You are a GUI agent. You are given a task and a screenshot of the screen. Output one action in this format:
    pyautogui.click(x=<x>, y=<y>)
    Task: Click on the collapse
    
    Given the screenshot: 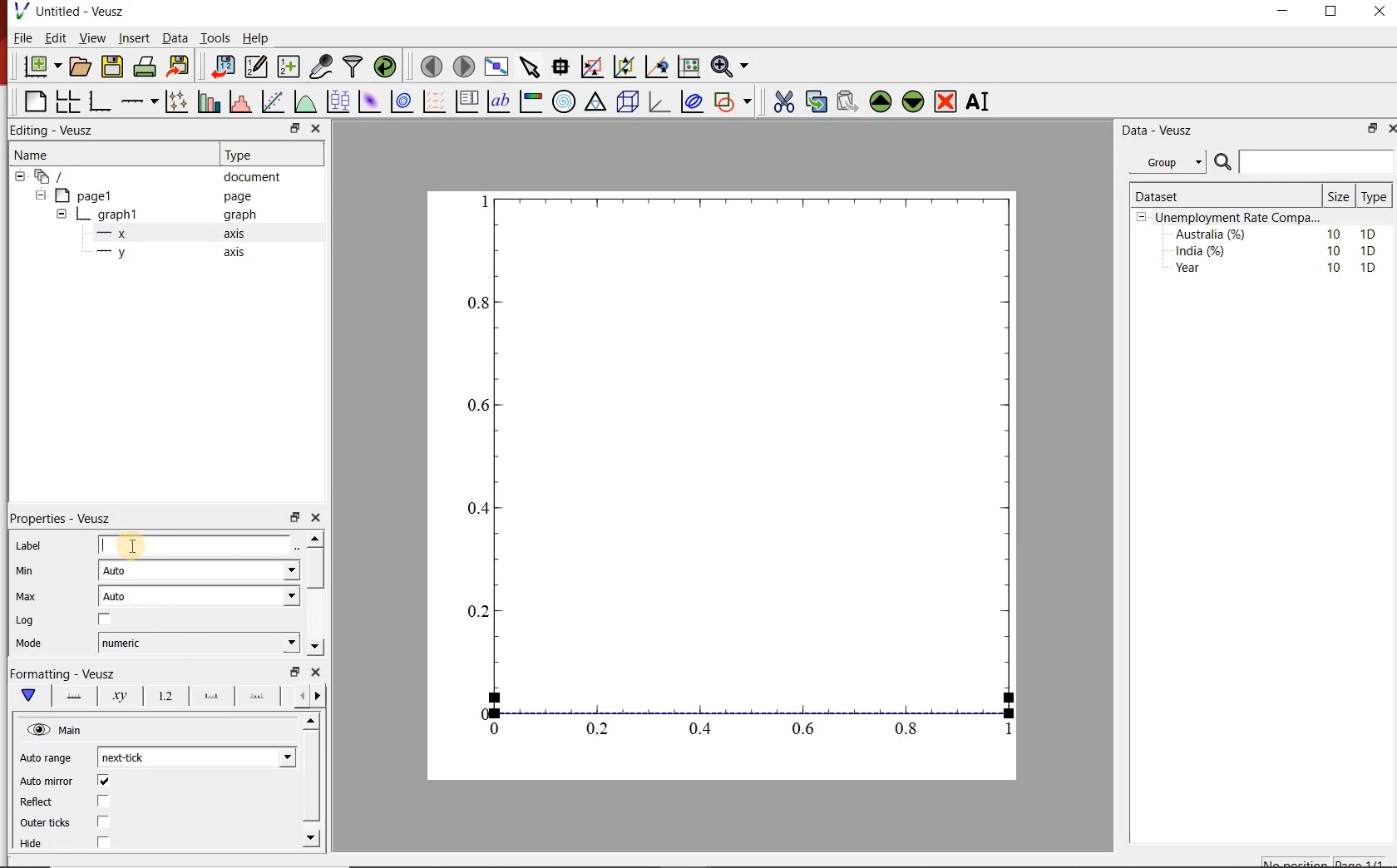 What is the action you would take?
    pyautogui.click(x=40, y=195)
    